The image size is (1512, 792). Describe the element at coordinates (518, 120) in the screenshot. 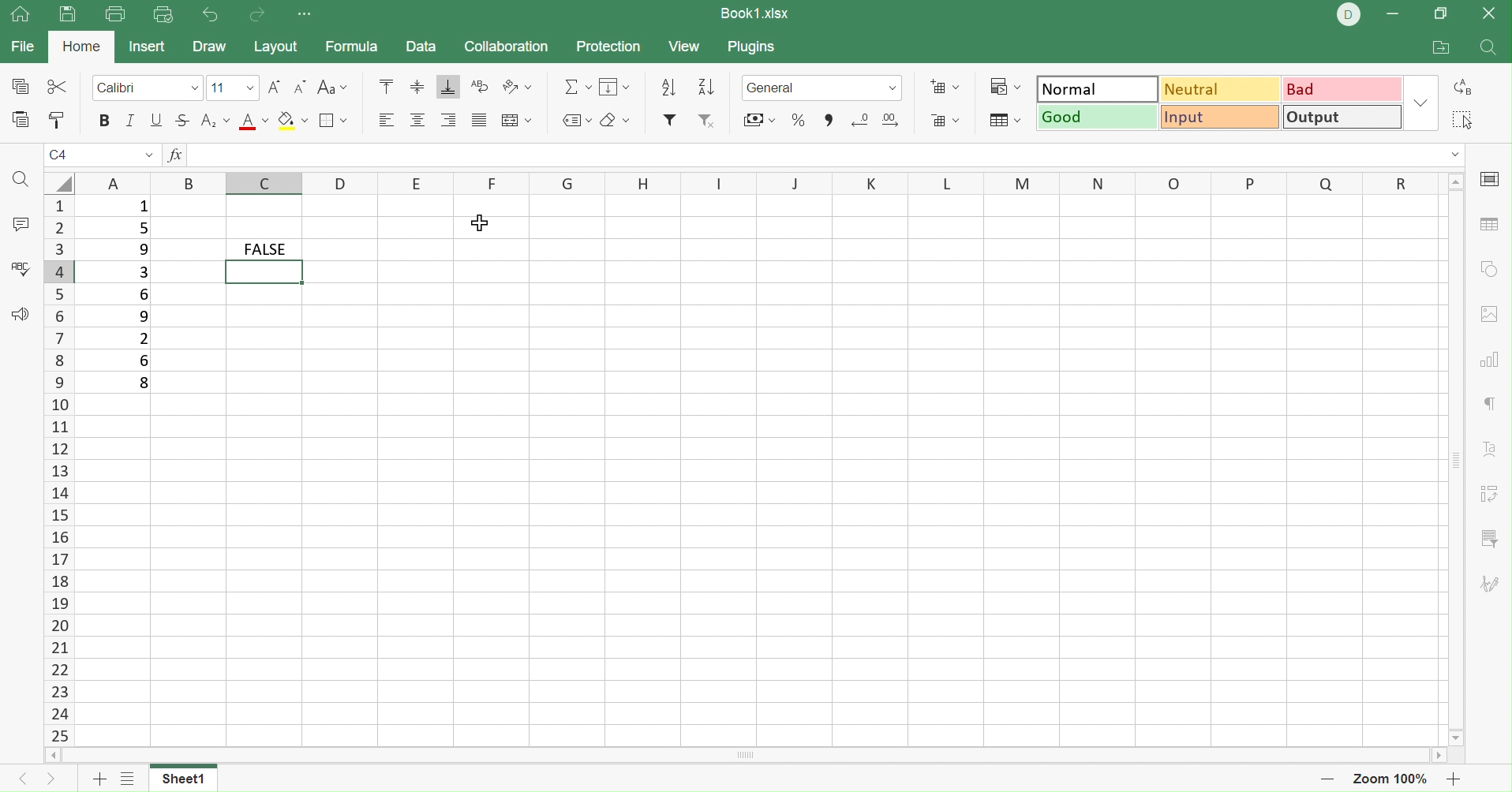

I see `Merge and ceter` at that location.